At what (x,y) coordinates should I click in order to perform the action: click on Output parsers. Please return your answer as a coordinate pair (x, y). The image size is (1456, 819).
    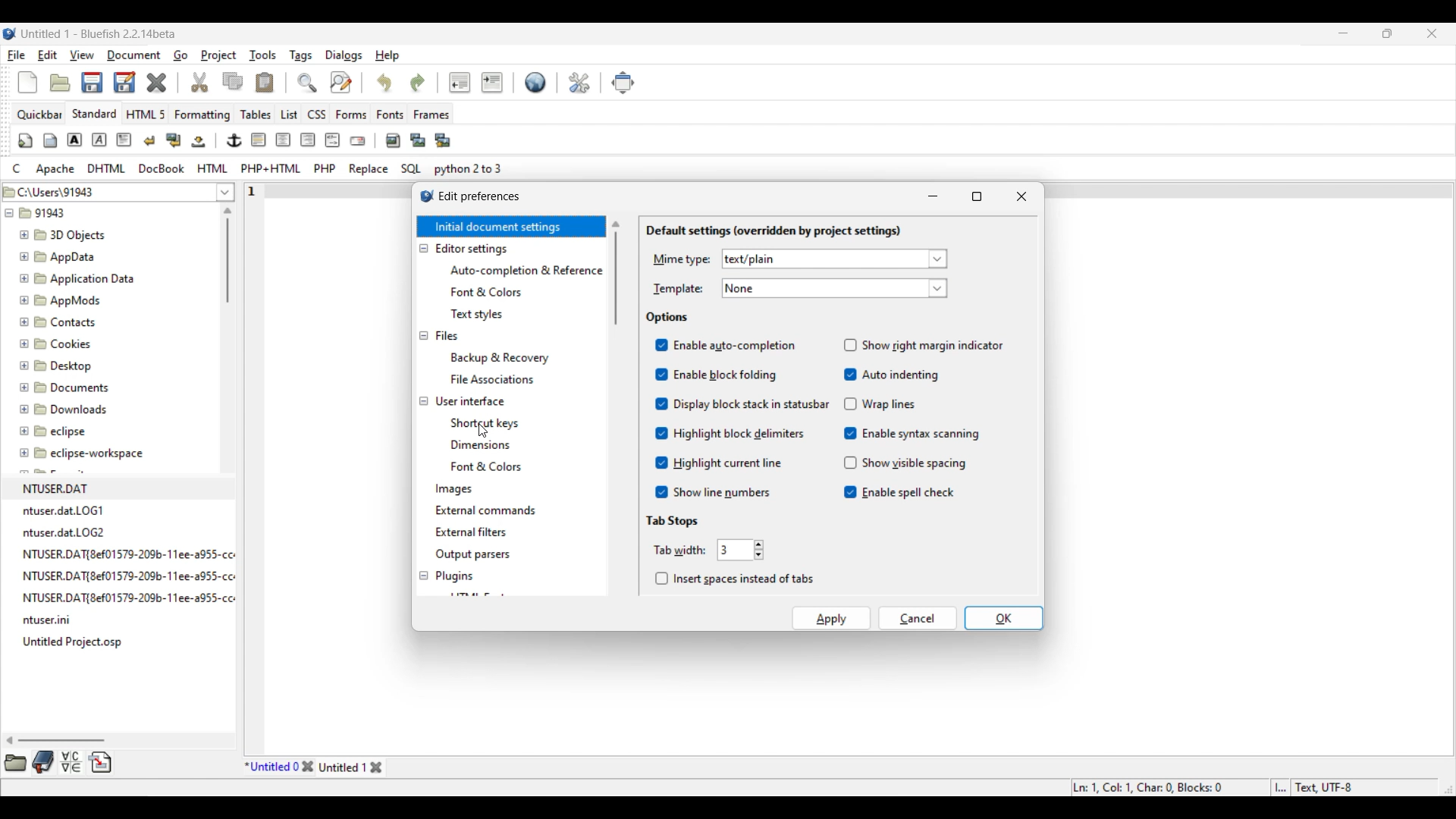
    Looking at the image, I should click on (472, 555).